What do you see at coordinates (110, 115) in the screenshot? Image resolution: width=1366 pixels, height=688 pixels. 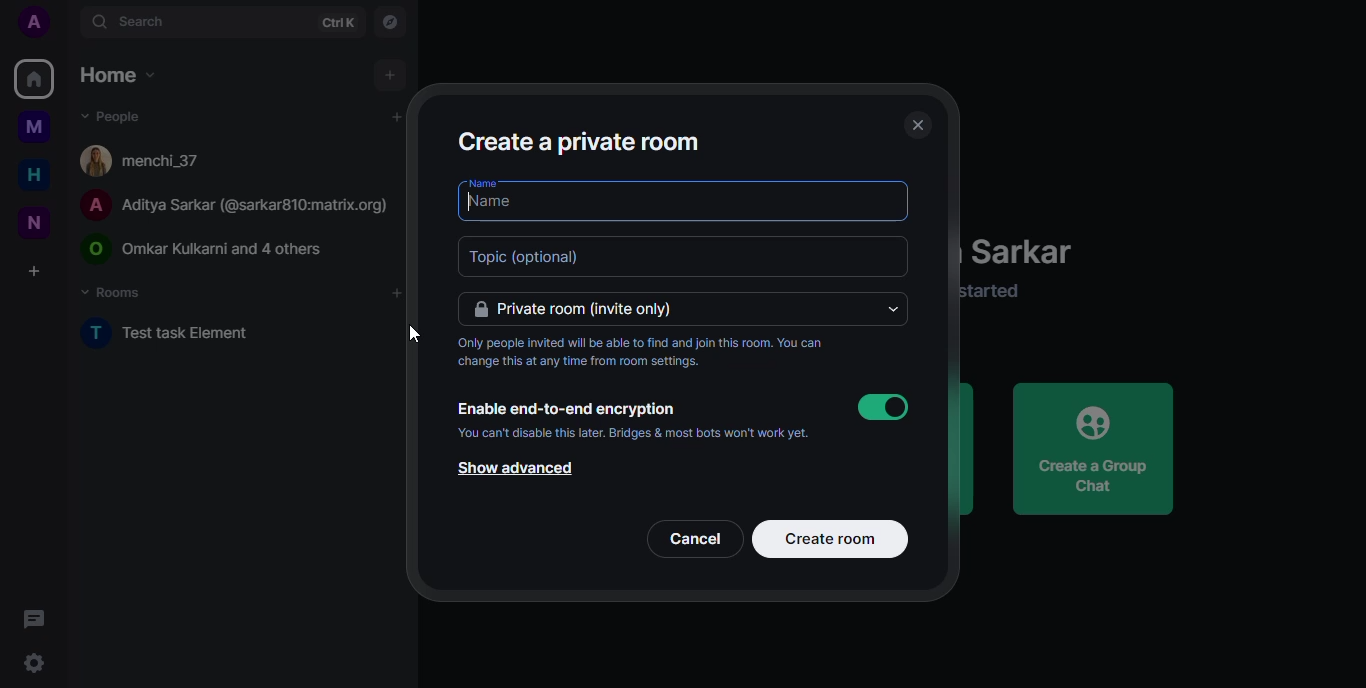 I see `people` at bounding box center [110, 115].